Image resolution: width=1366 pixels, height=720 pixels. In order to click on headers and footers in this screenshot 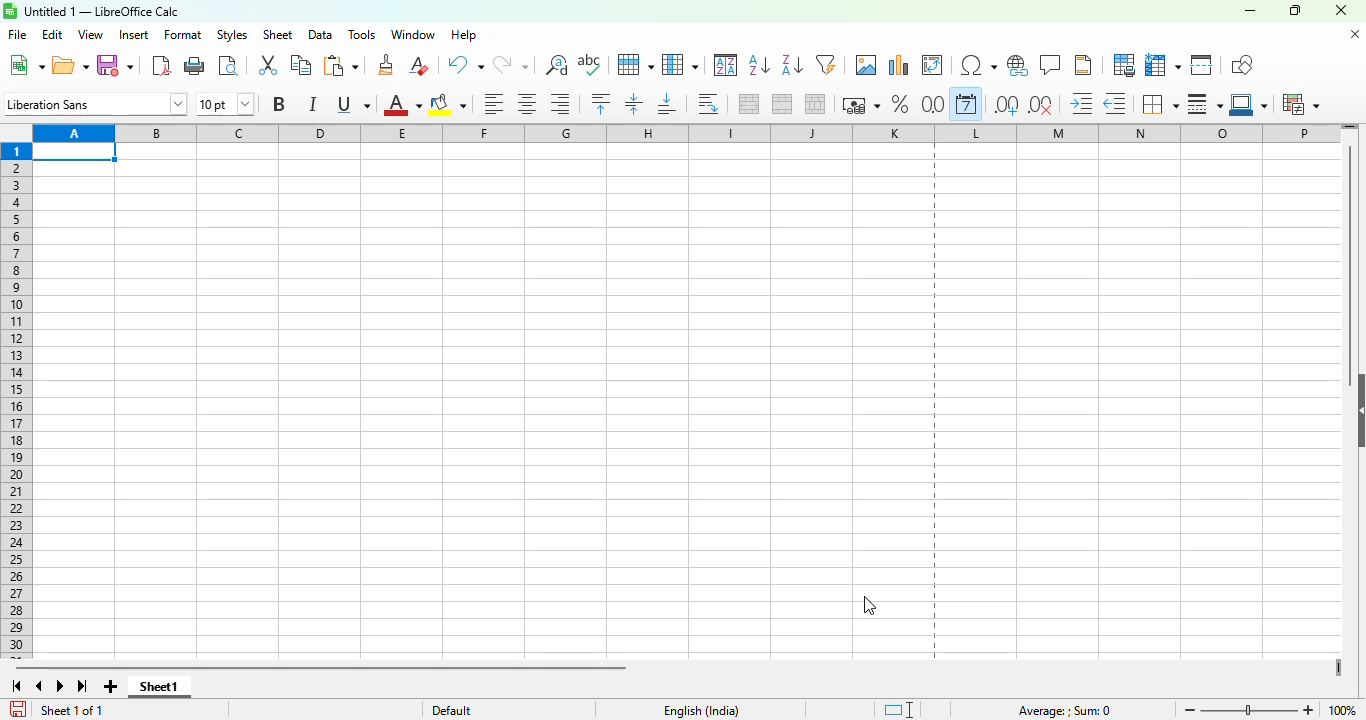, I will do `click(1083, 65)`.